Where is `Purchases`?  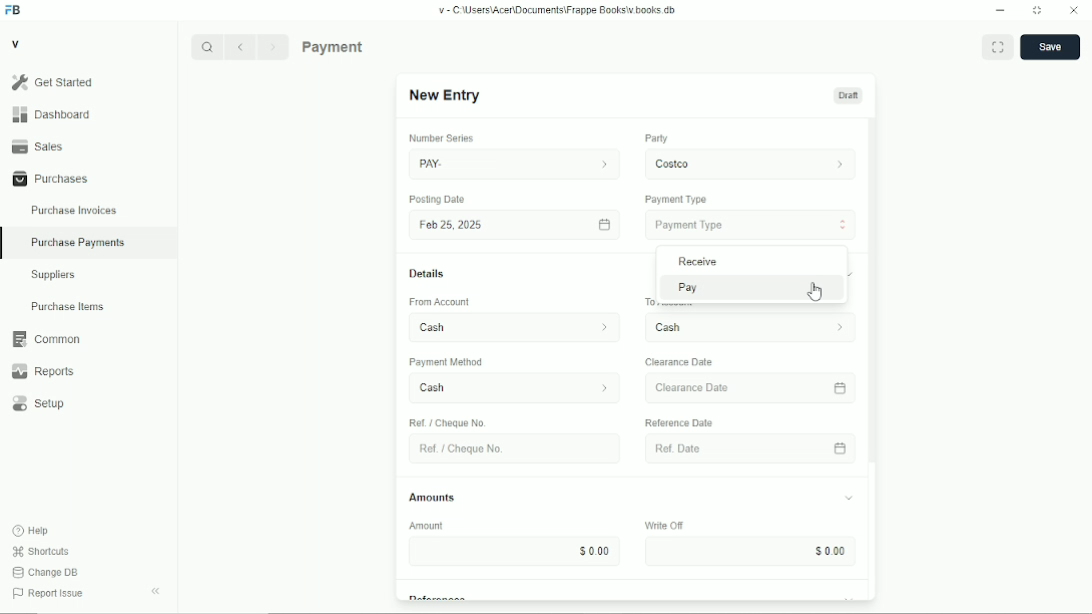
Purchases is located at coordinates (88, 178).